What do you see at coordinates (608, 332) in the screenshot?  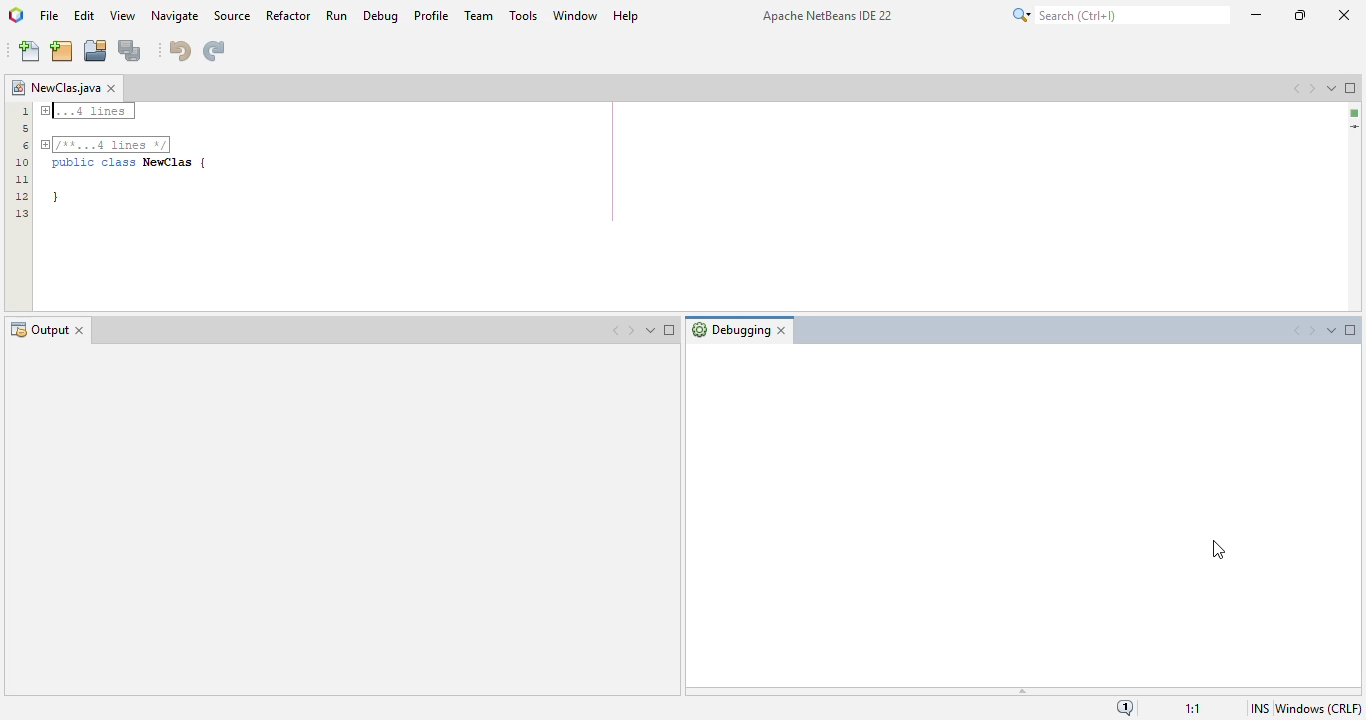 I see `Previous` at bounding box center [608, 332].